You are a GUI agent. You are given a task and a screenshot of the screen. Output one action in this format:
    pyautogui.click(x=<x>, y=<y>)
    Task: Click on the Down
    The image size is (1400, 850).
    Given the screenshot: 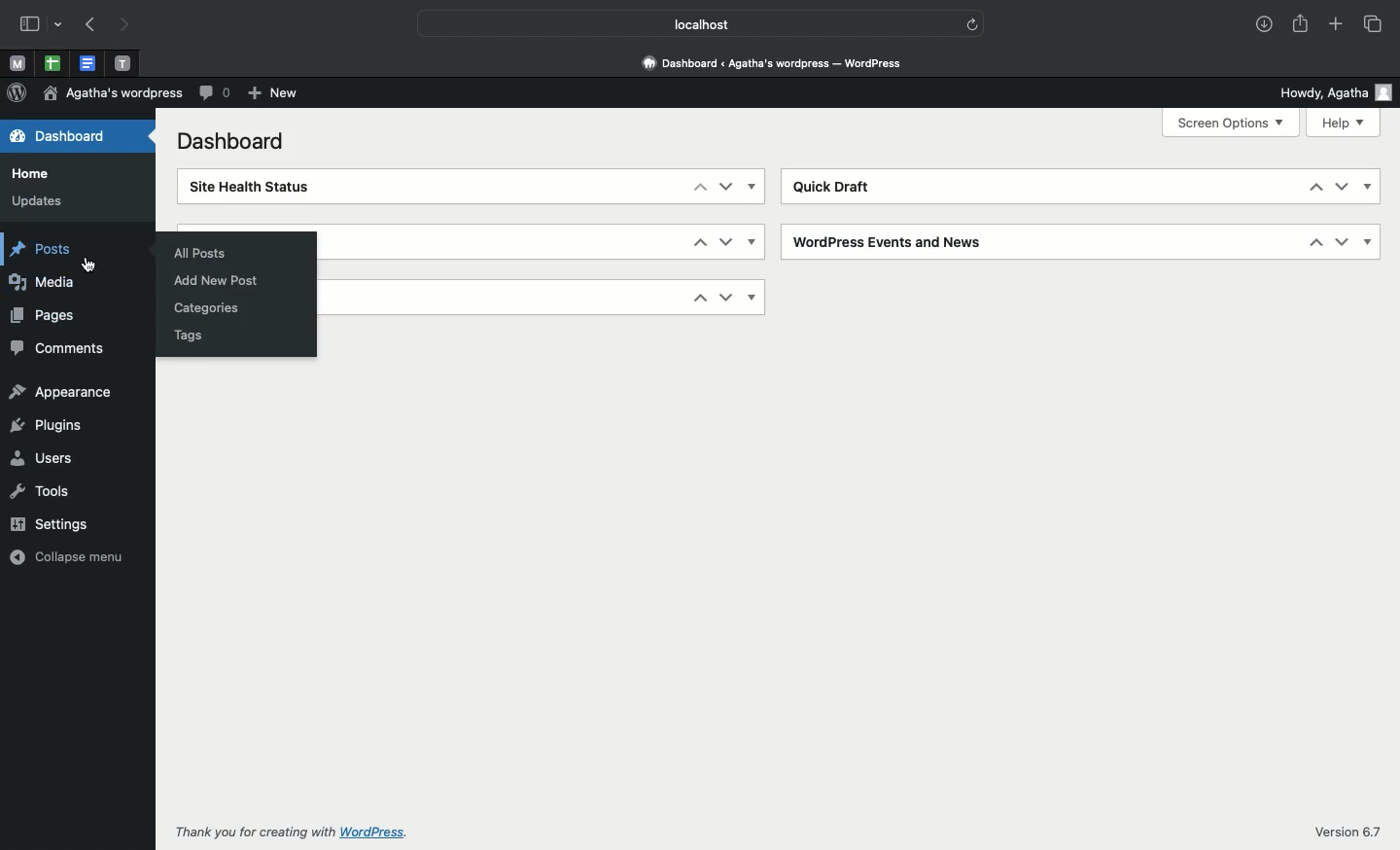 What is the action you would take?
    pyautogui.click(x=726, y=242)
    